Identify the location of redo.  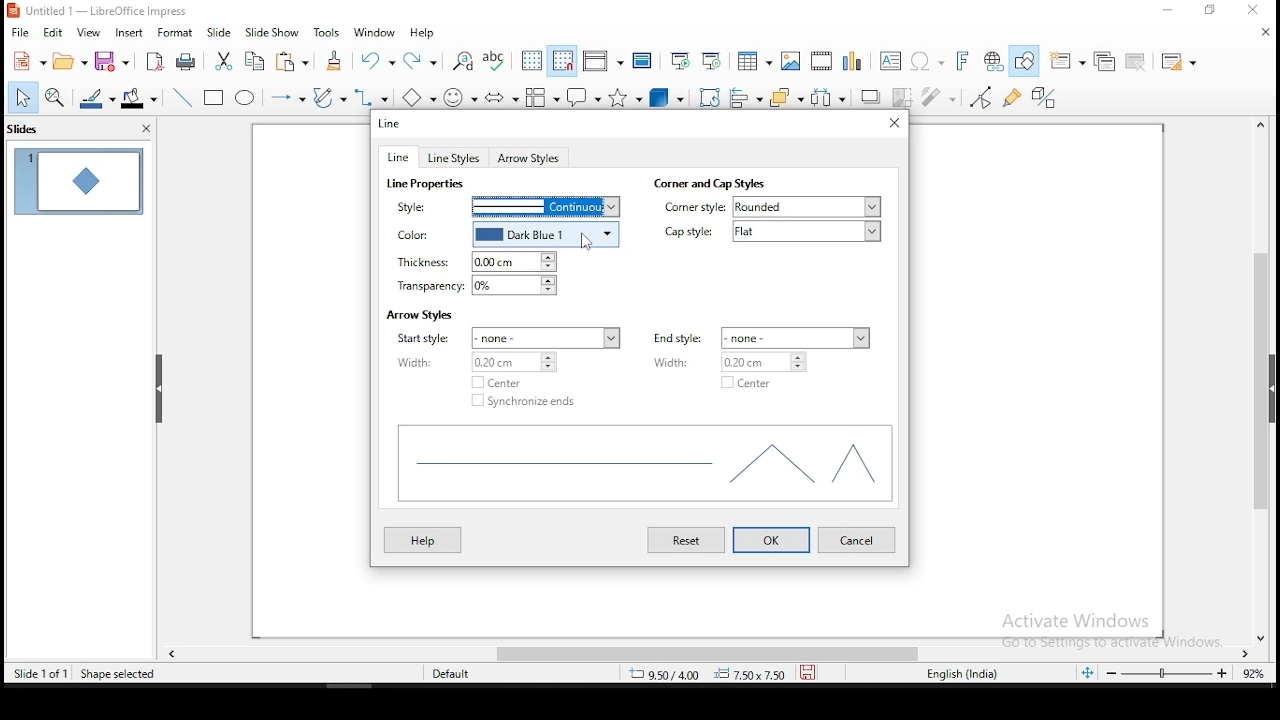
(423, 59).